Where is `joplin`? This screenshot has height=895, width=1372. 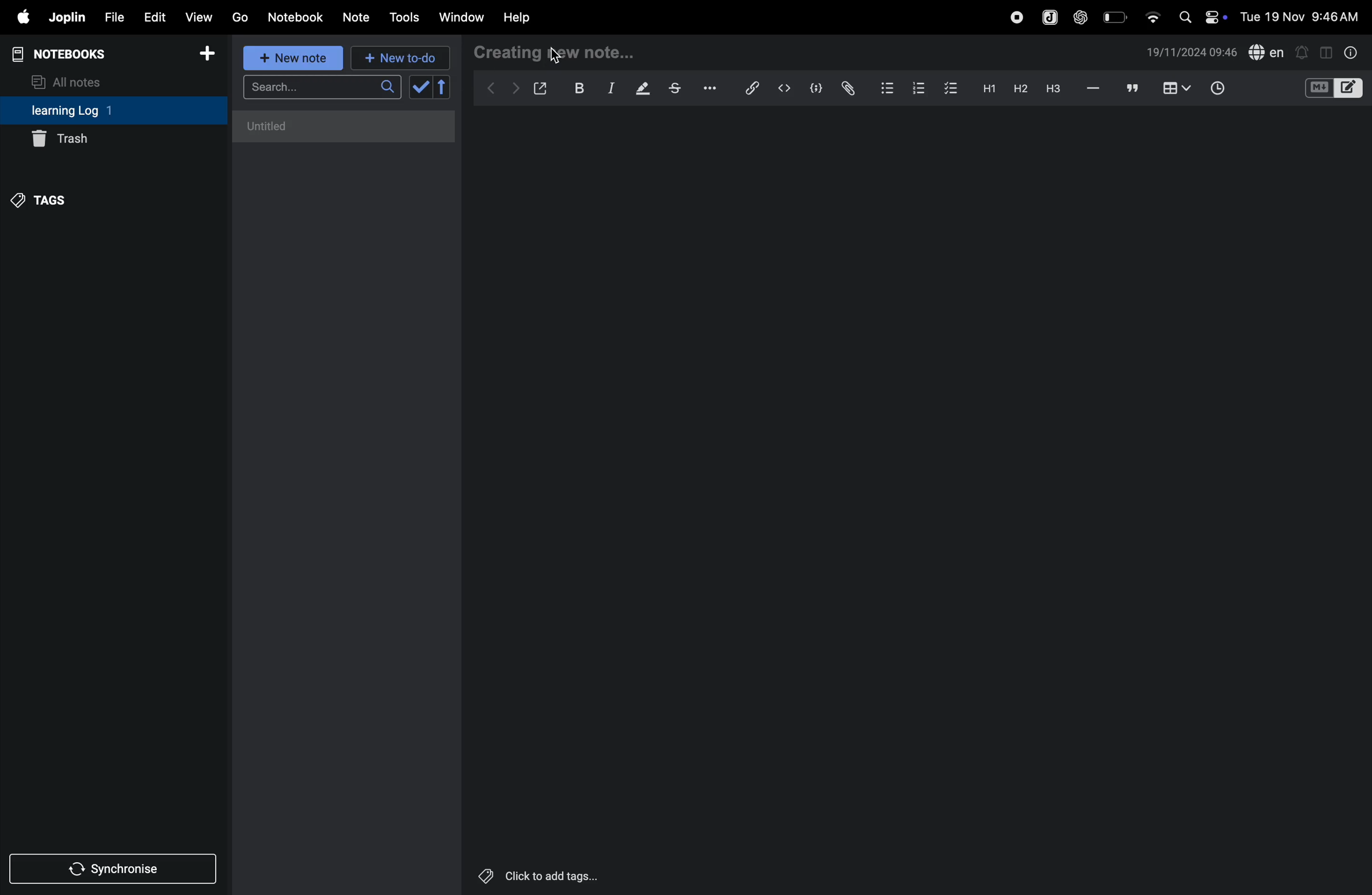
joplin is located at coordinates (66, 17).